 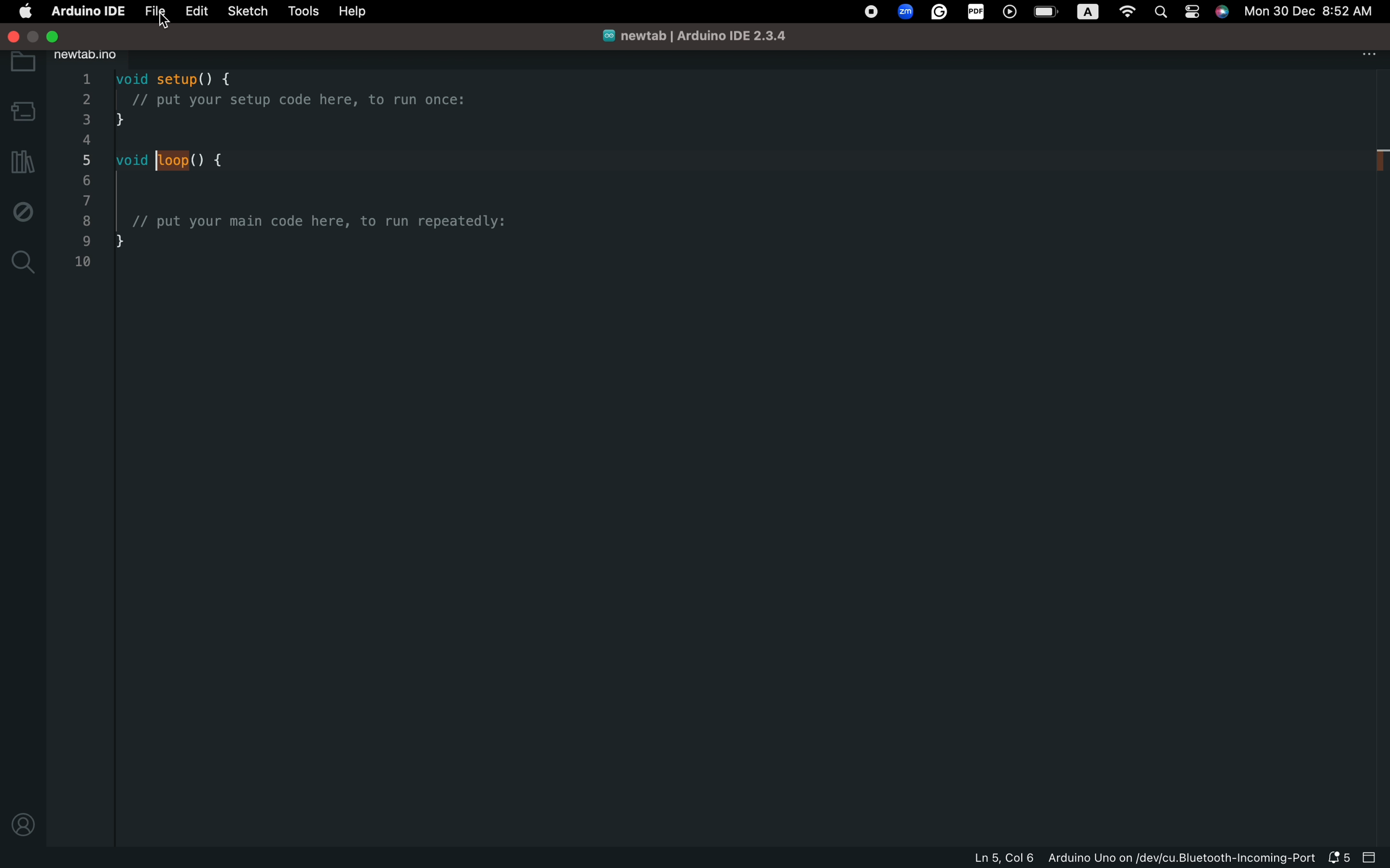 I want to click on exit full screen, so click(x=54, y=37).